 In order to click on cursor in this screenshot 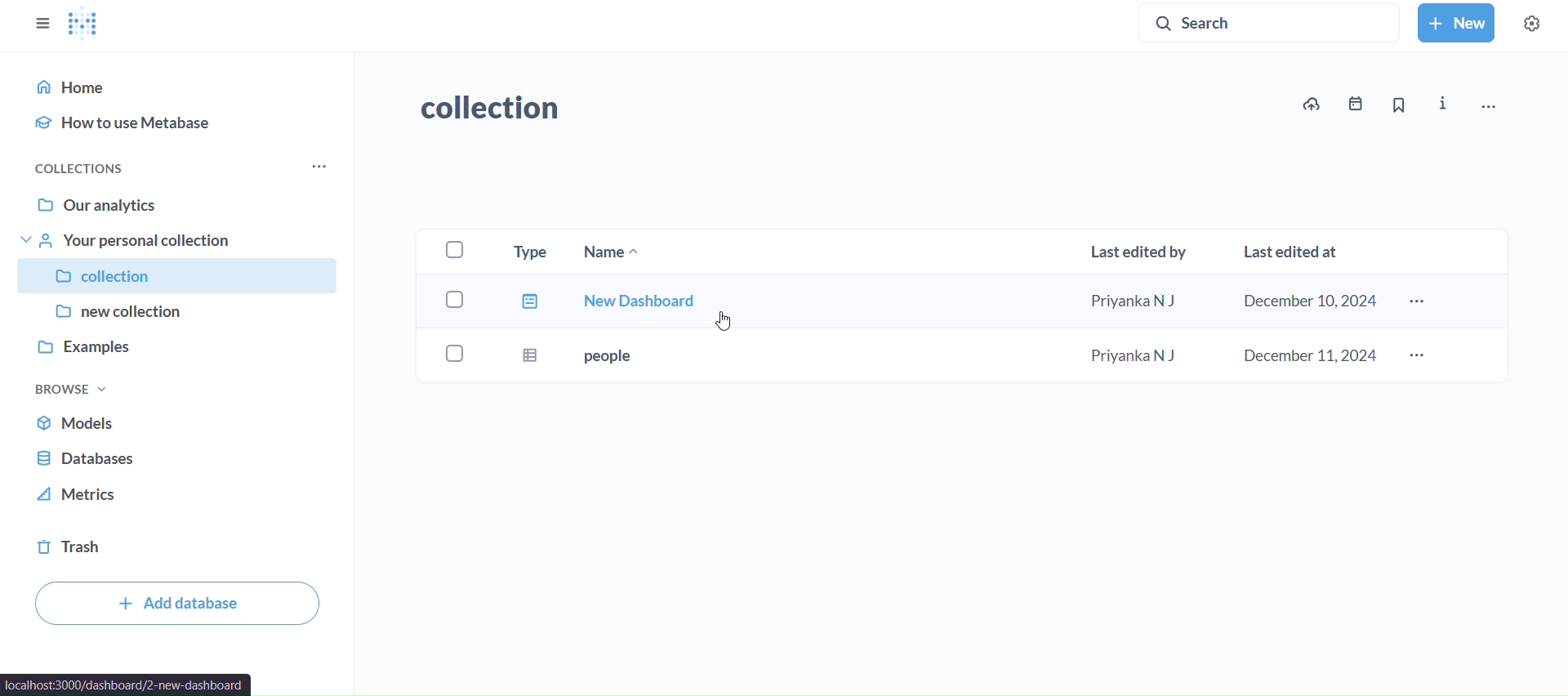, I will do `click(720, 323)`.